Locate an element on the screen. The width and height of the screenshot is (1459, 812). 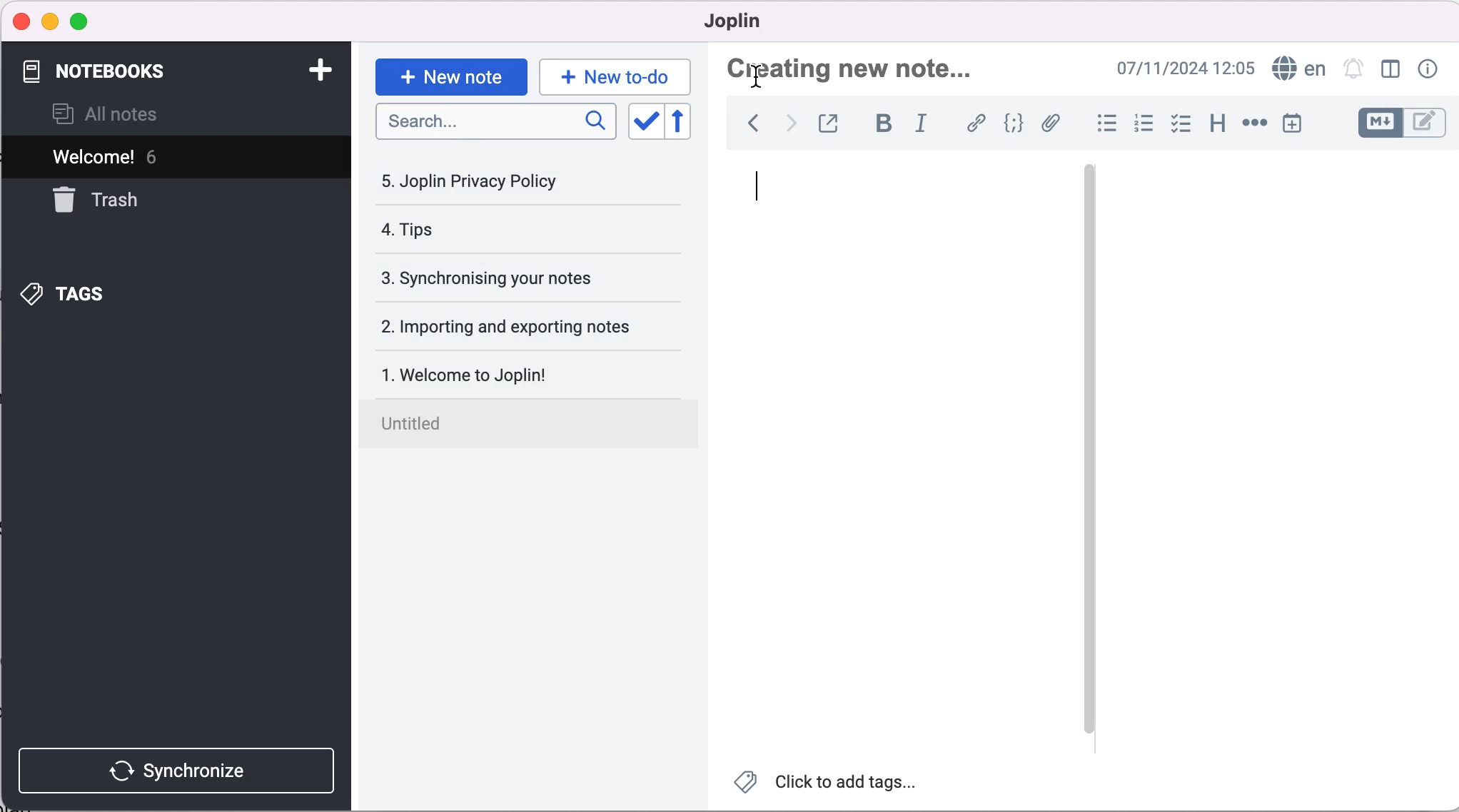
welcome to joplin! is located at coordinates (489, 378).